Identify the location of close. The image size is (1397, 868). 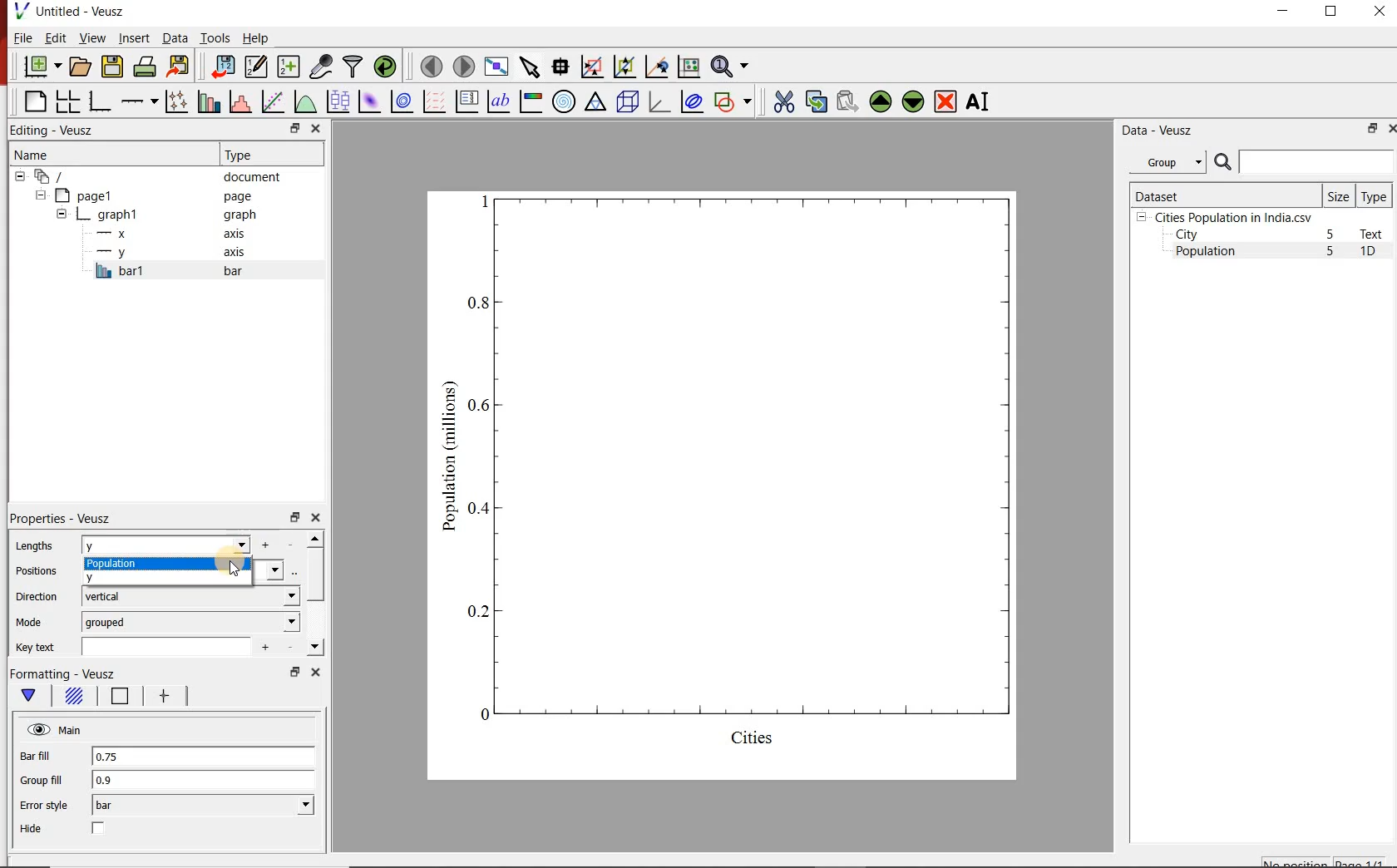
(318, 128).